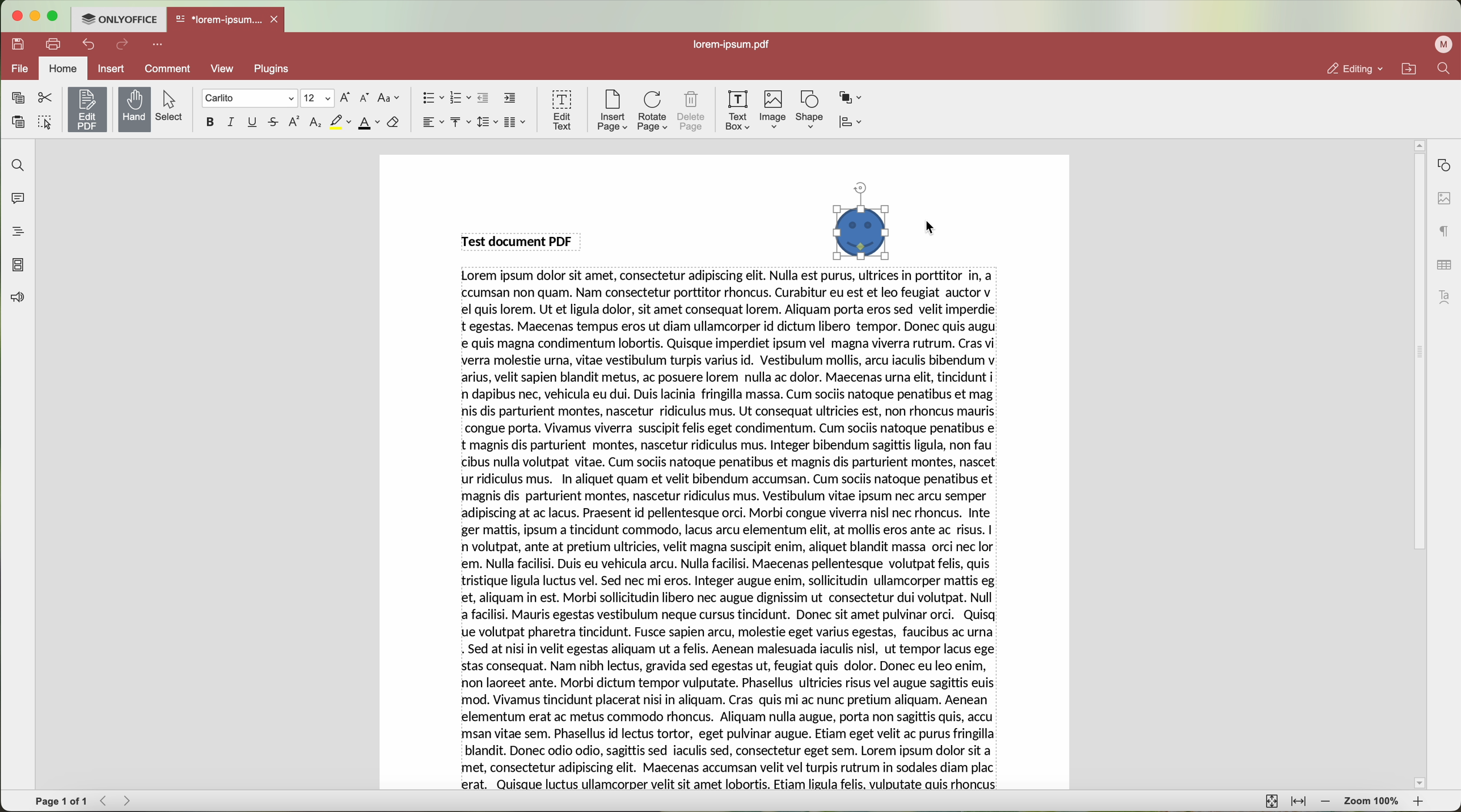  What do you see at coordinates (160, 45) in the screenshot?
I see `customize quick access toolbar` at bounding box center [160, 45].